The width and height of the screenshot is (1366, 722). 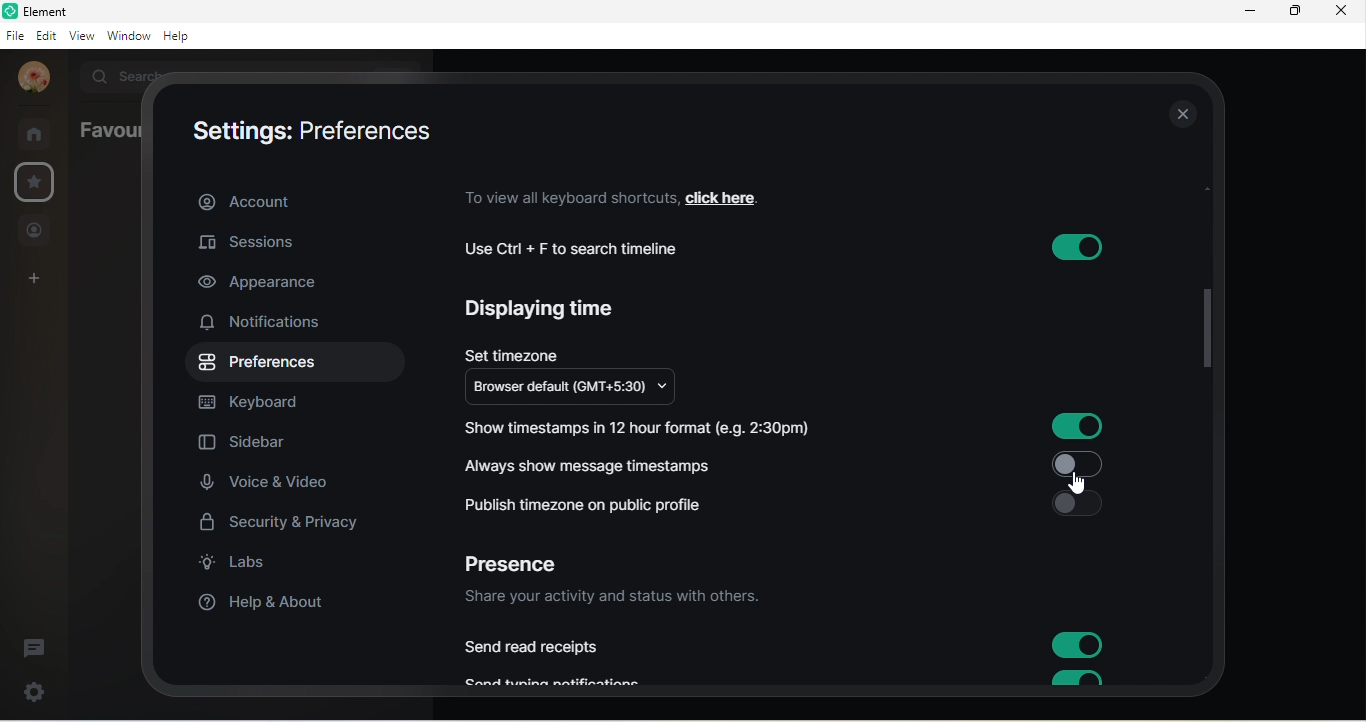 What do you see at coordinates (271, 484) in the screenshot?
I see `voice and video` at bounding box center [271, 484].